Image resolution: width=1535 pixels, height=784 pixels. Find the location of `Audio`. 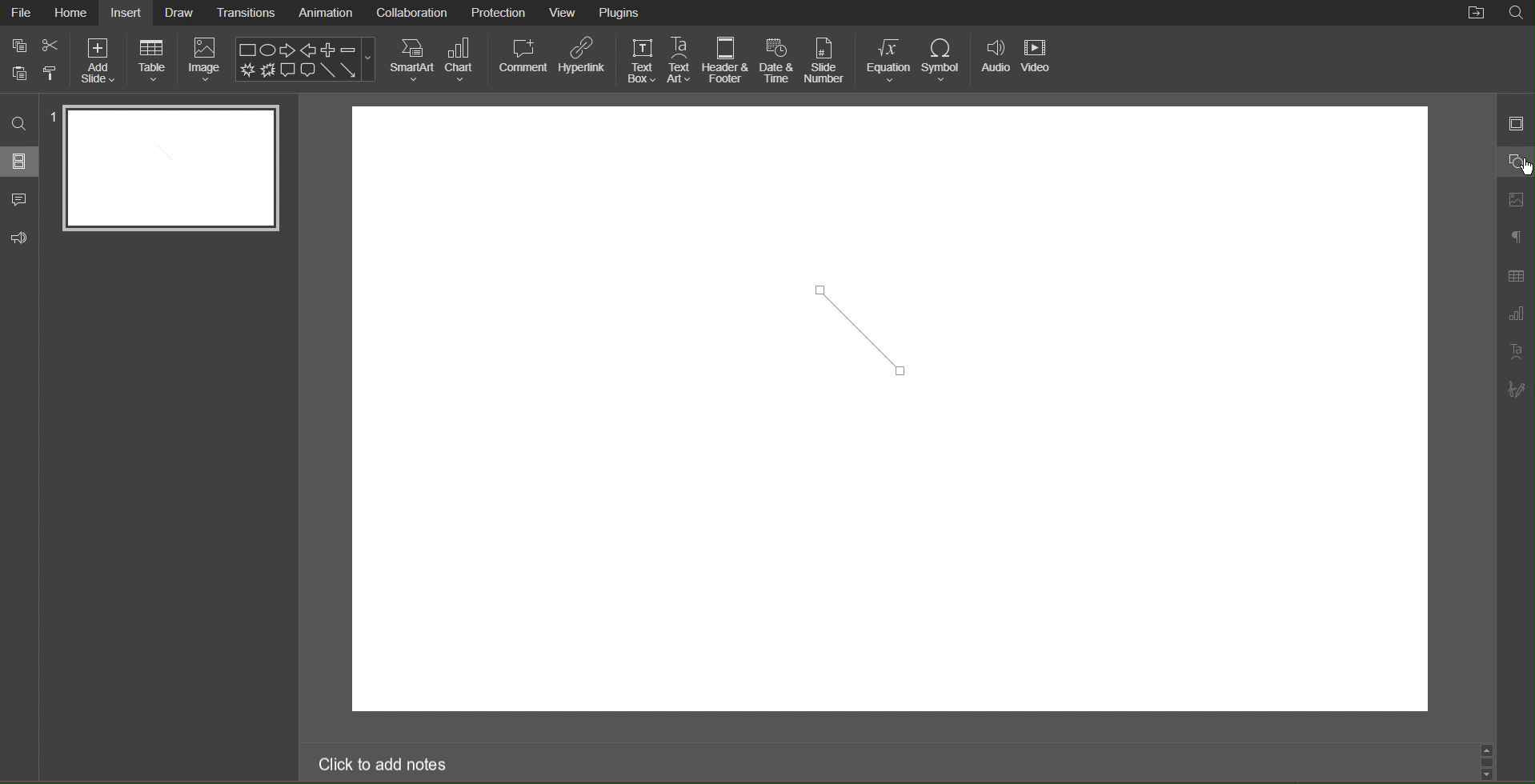

Audio is located at coordinates (995, 59).